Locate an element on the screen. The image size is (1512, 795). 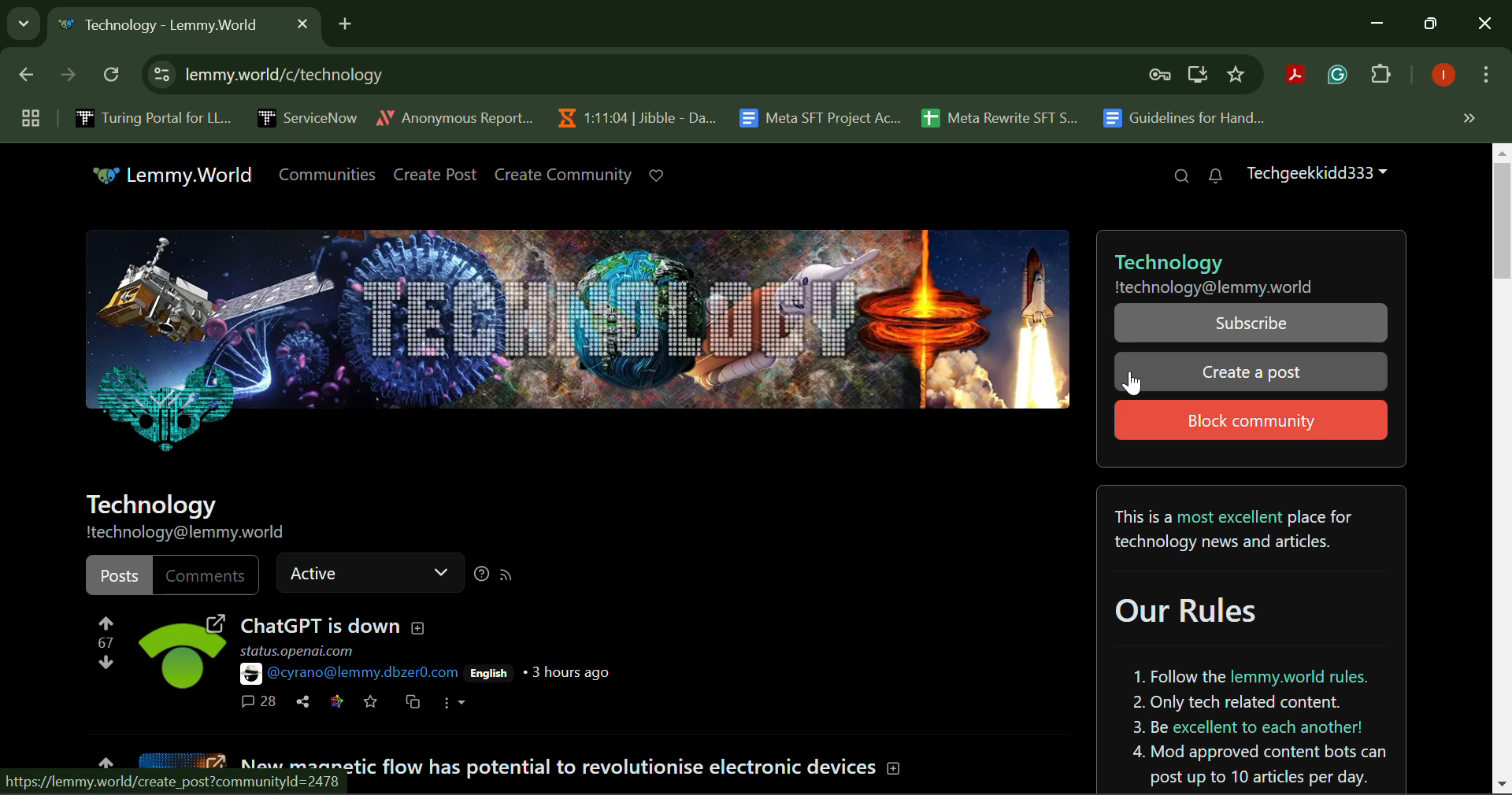
Community Address is located at coordinates (189, 534).